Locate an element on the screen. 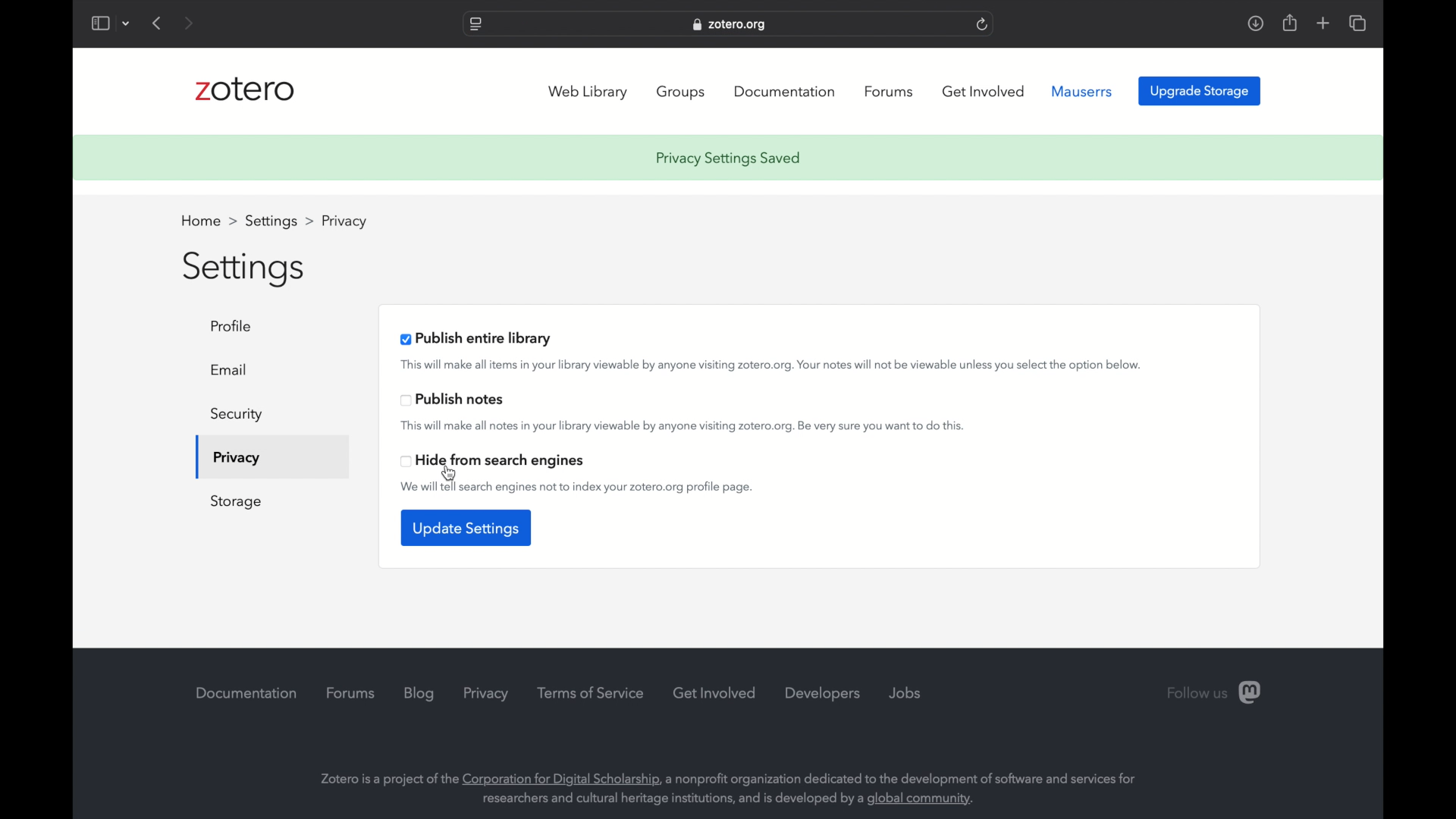  groups is located at coordinates (684, 93).